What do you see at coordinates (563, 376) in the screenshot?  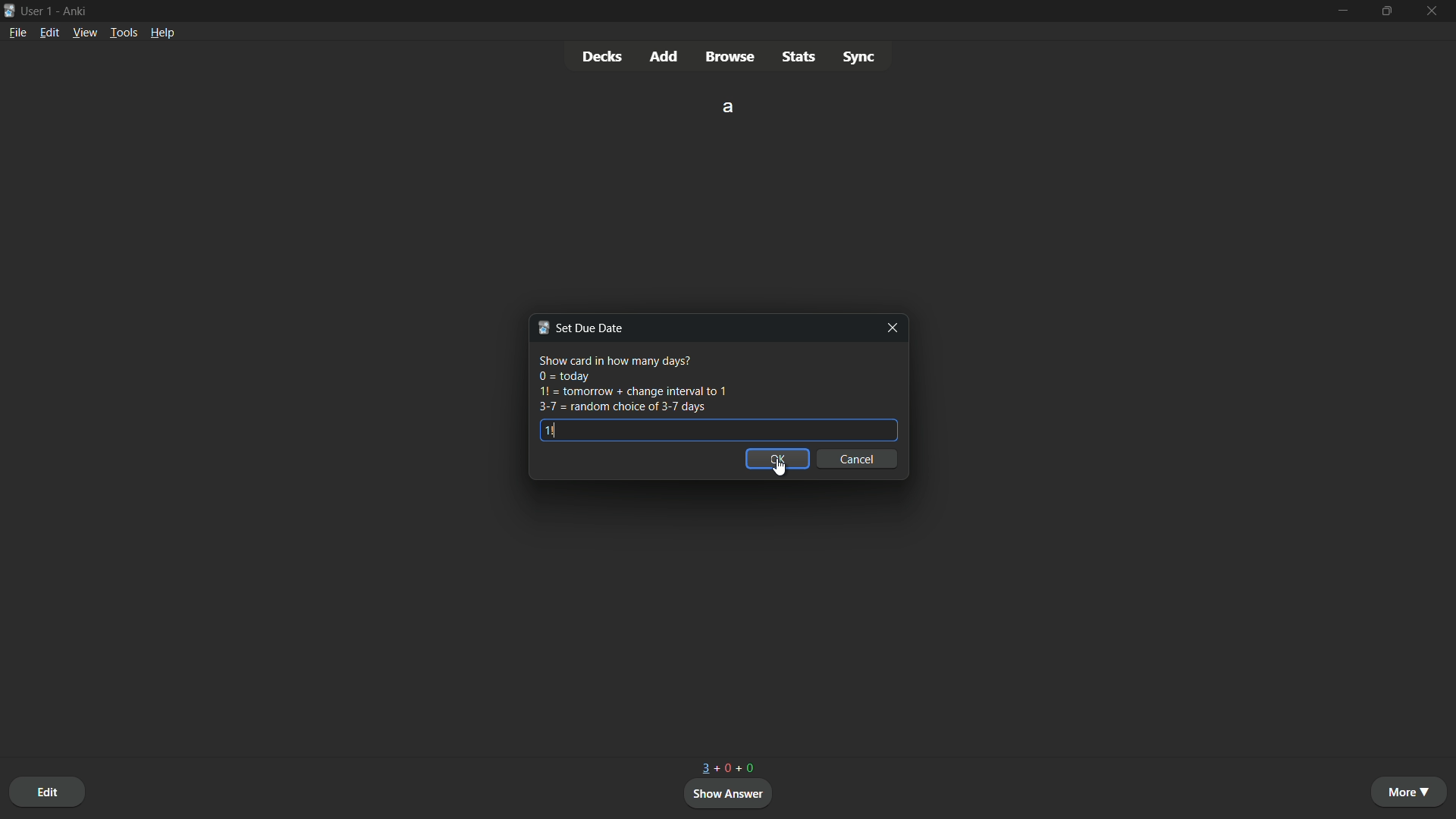 I see `0=today` at bounding box center [563, 376].